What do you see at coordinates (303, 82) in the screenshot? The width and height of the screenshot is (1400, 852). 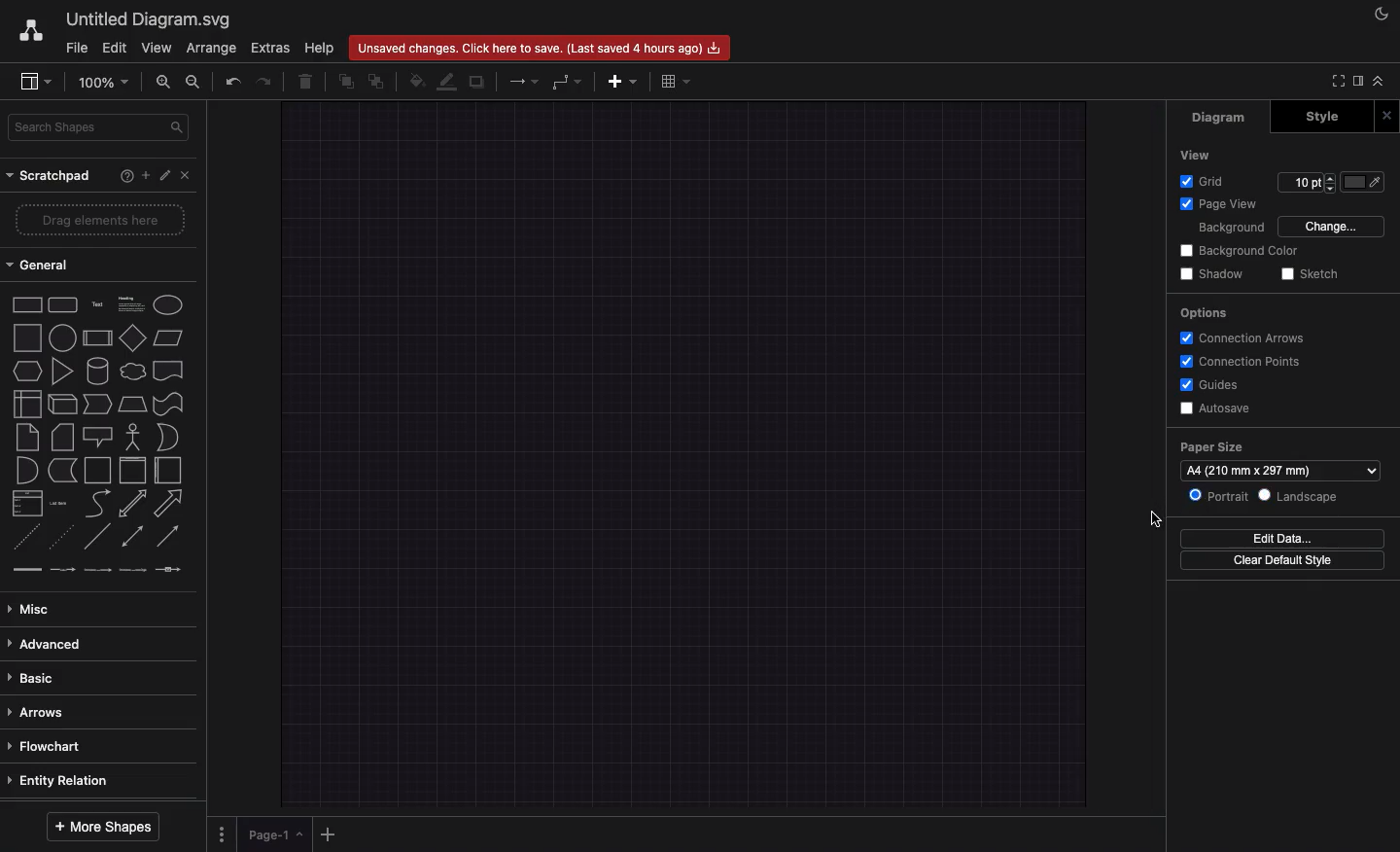 I see `Trash` at bounding box center [303, 82].